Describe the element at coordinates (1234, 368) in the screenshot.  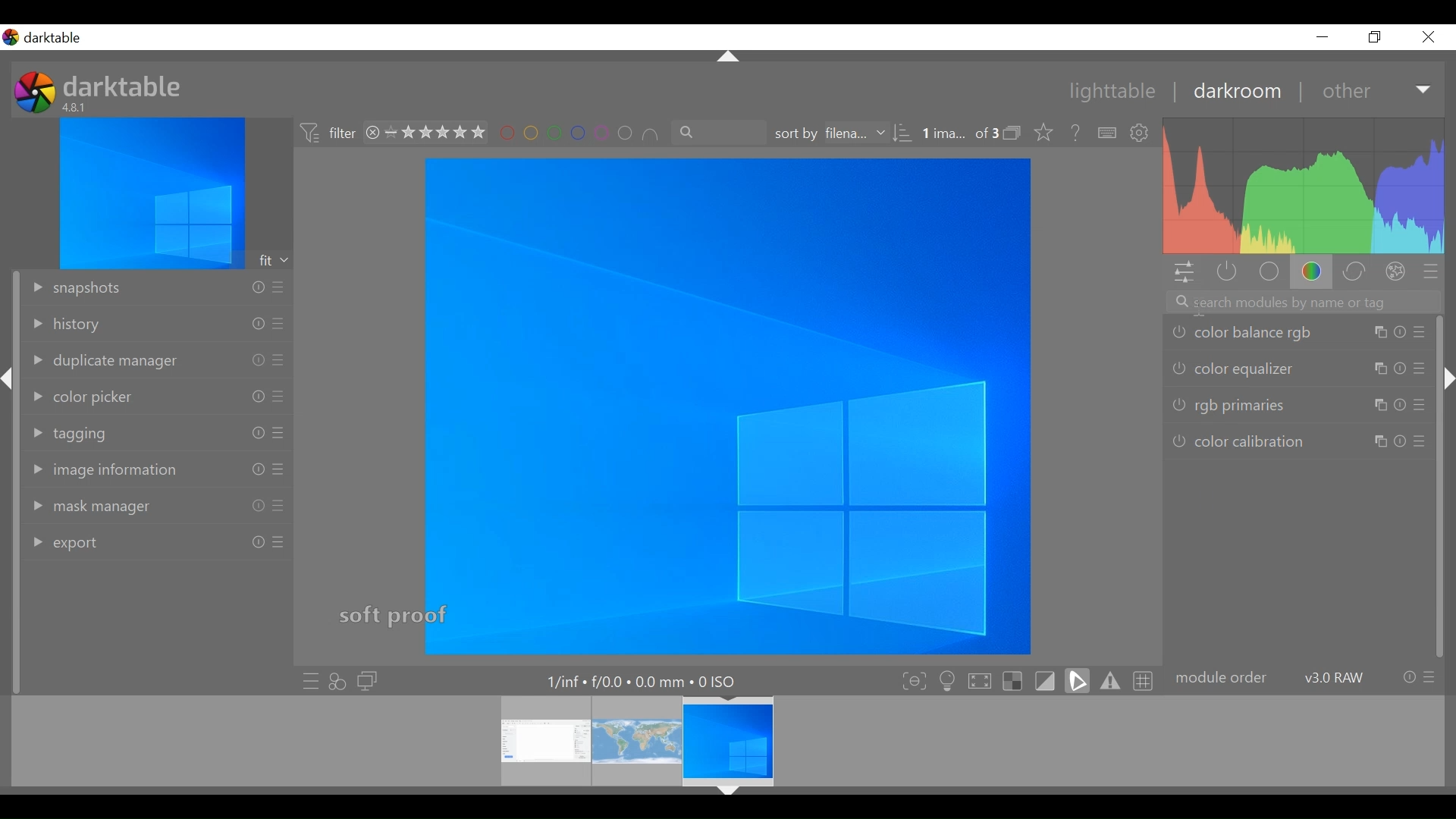
I see `color equalizer` at that location.